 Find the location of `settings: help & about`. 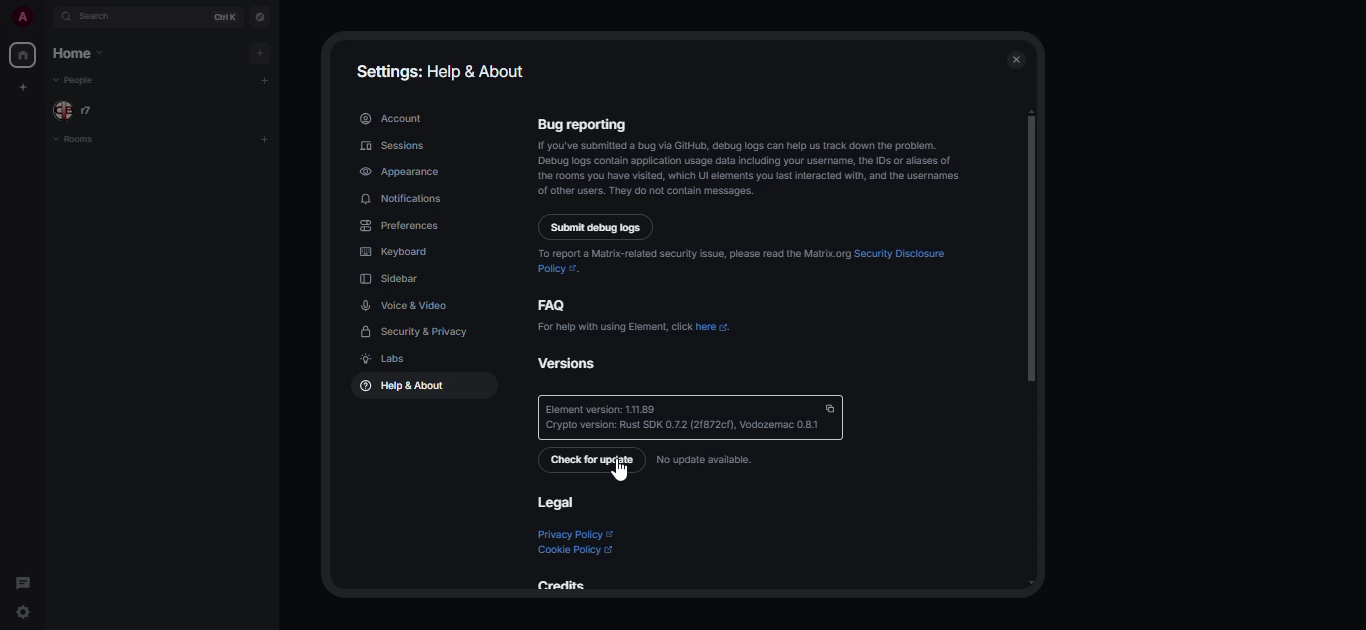

settings: help & about is located at coordinates (448, 72).